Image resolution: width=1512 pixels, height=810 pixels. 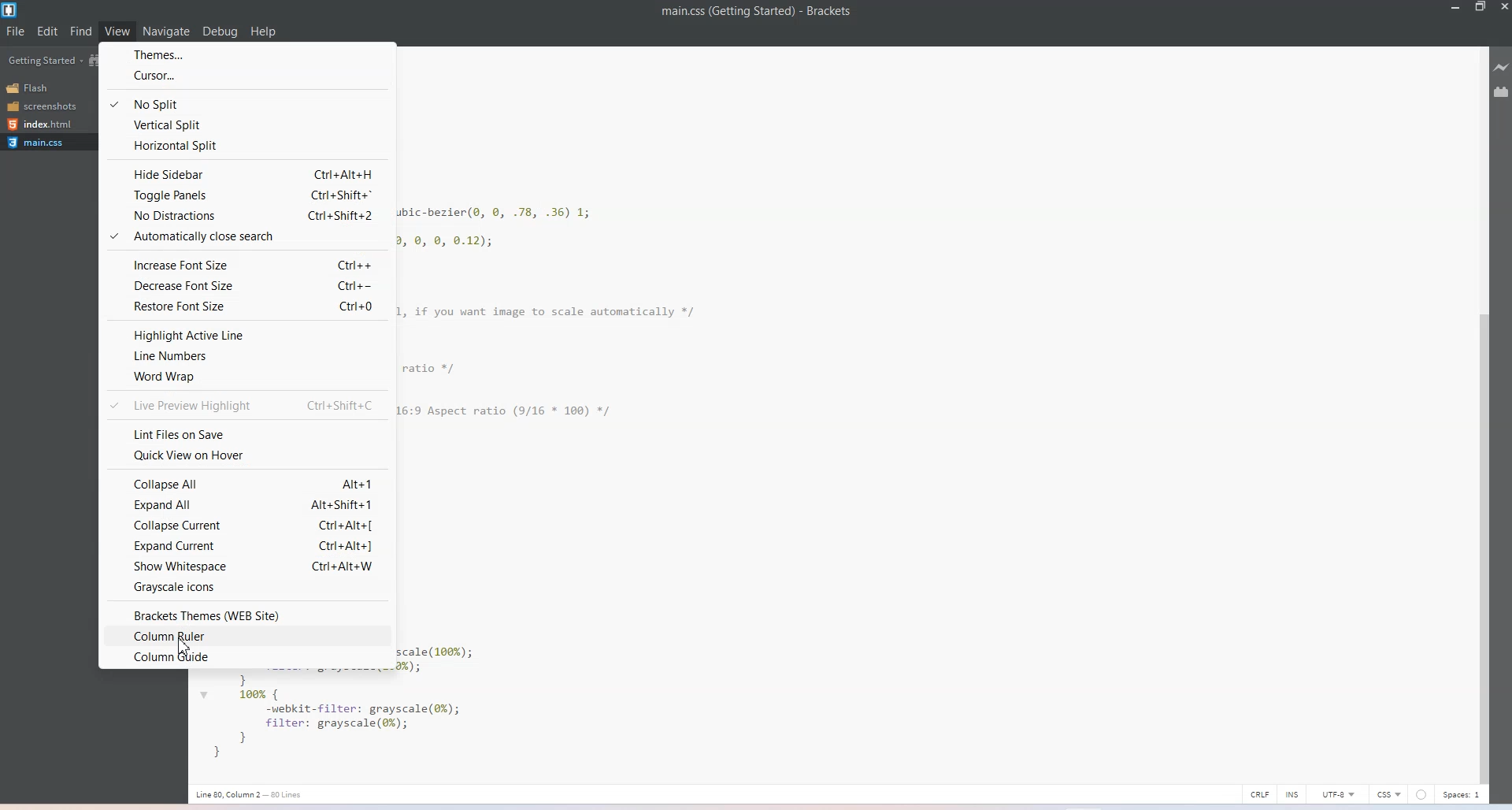 What do you see at coordinates (81, 31) in the screenshot?
I see `Find` at bounding box center [81, 31].